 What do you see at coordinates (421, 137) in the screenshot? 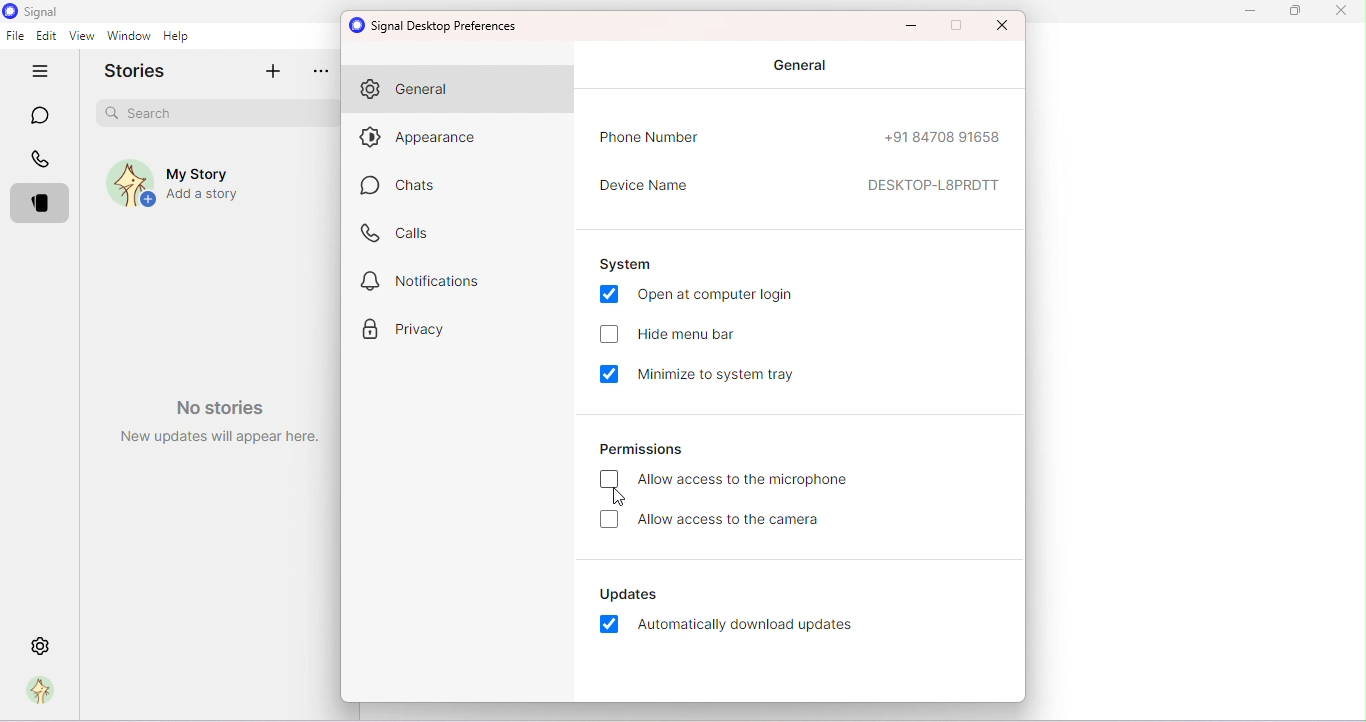
I see `Appearance` at bounding box center [421, 137].